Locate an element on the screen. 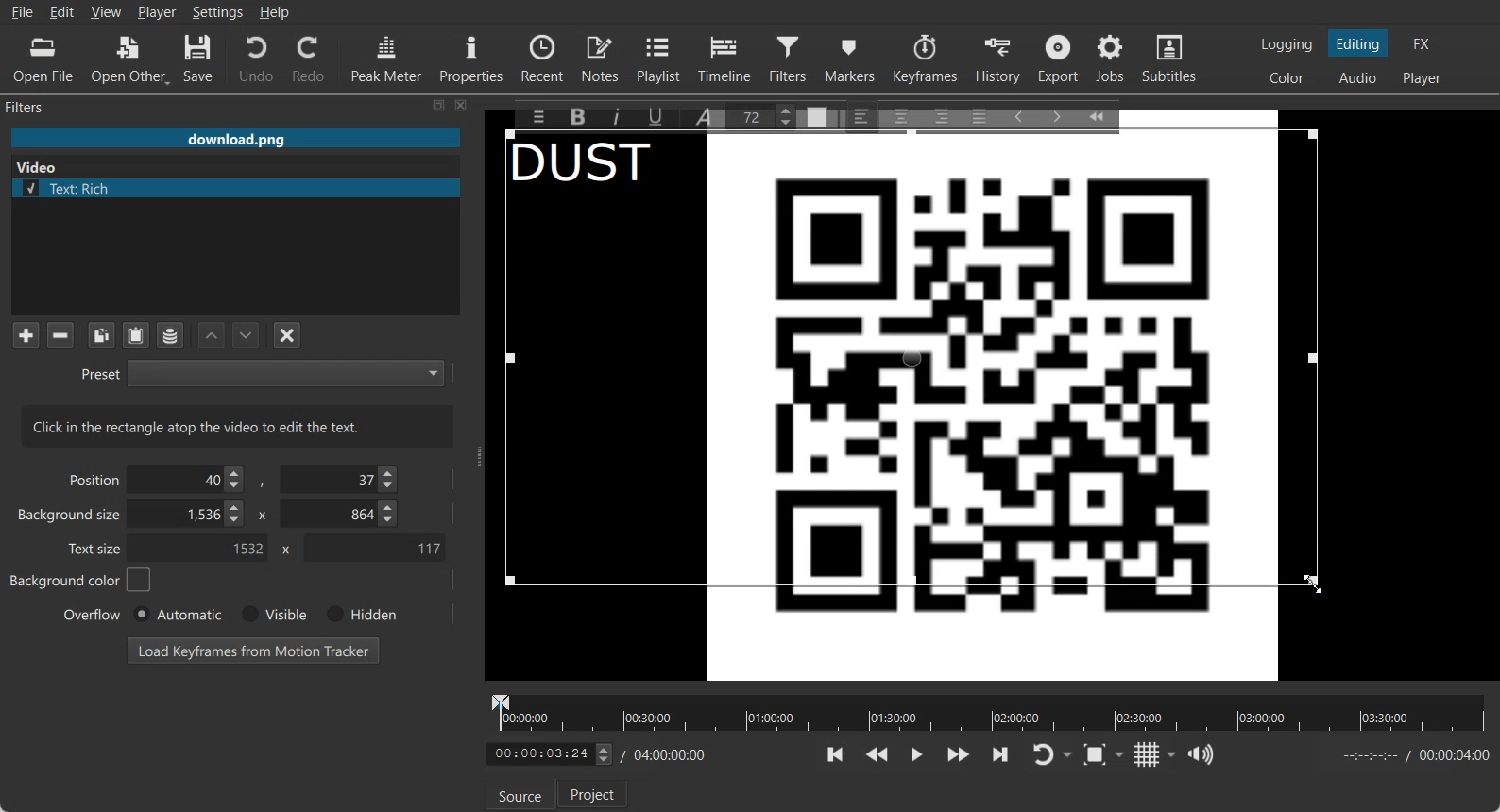 The width and height of the screenshot is (1500, 812). , is located at coordinates (264, 483).